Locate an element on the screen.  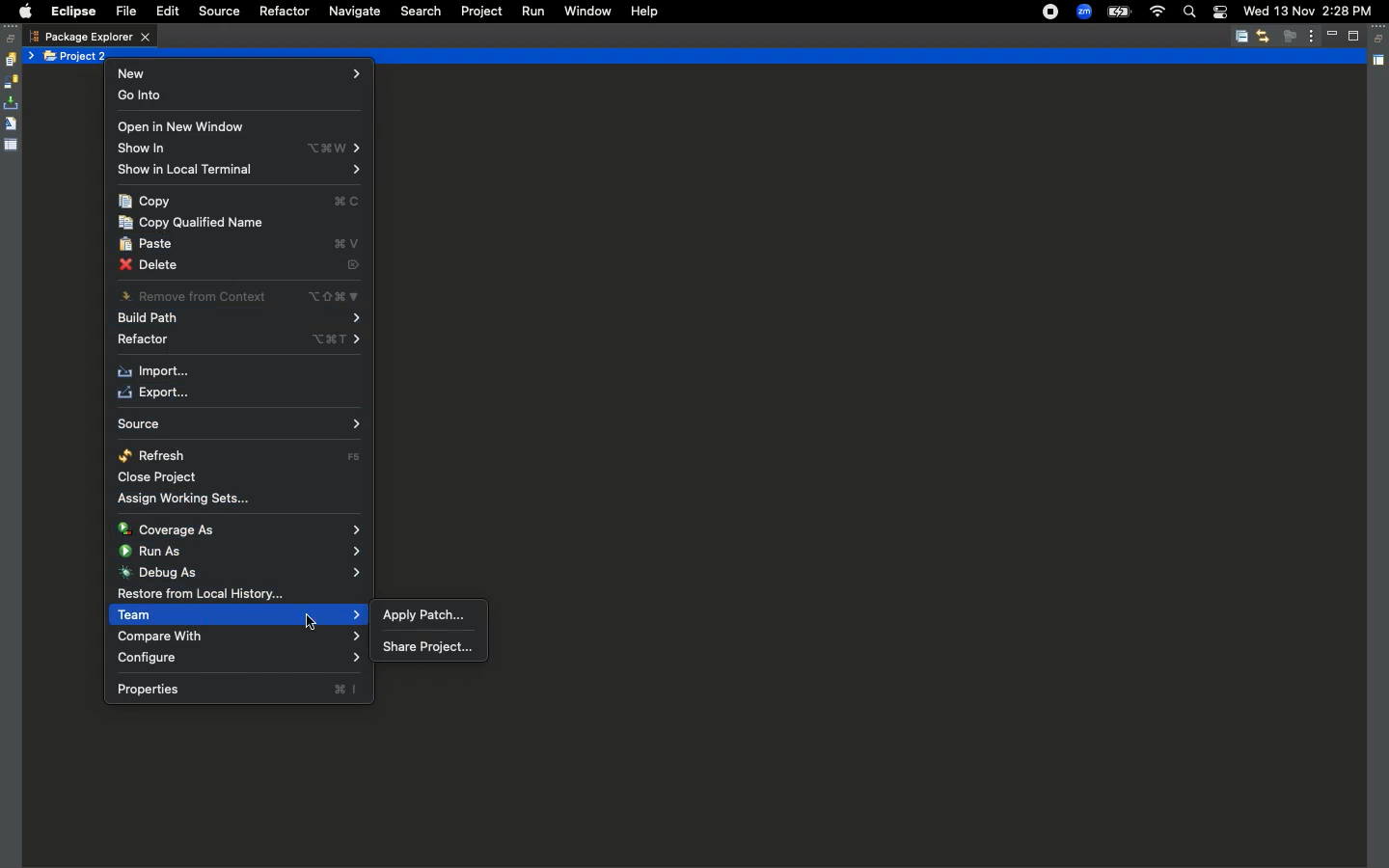
Collapse all is located at coordinates (1241, 38).